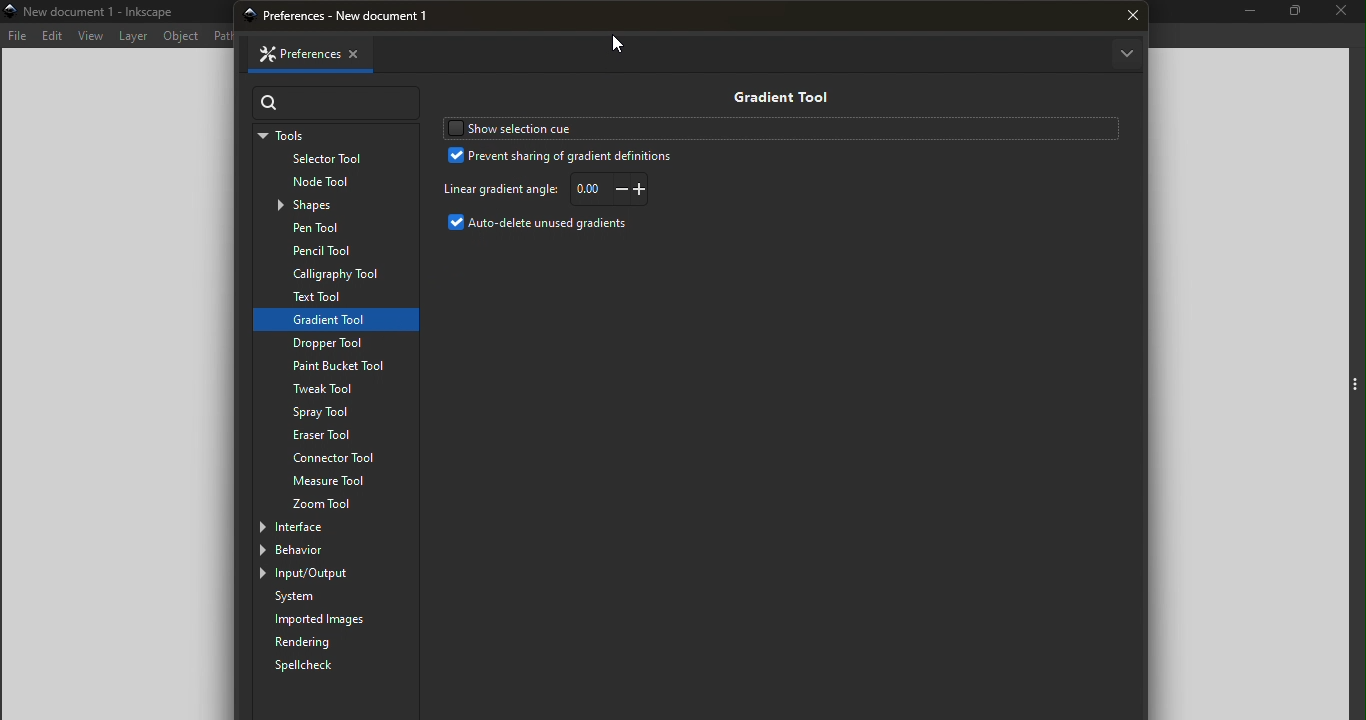  Describe the element at coordinates (135, 36) in the screenshot. I see `Layer` at that location.